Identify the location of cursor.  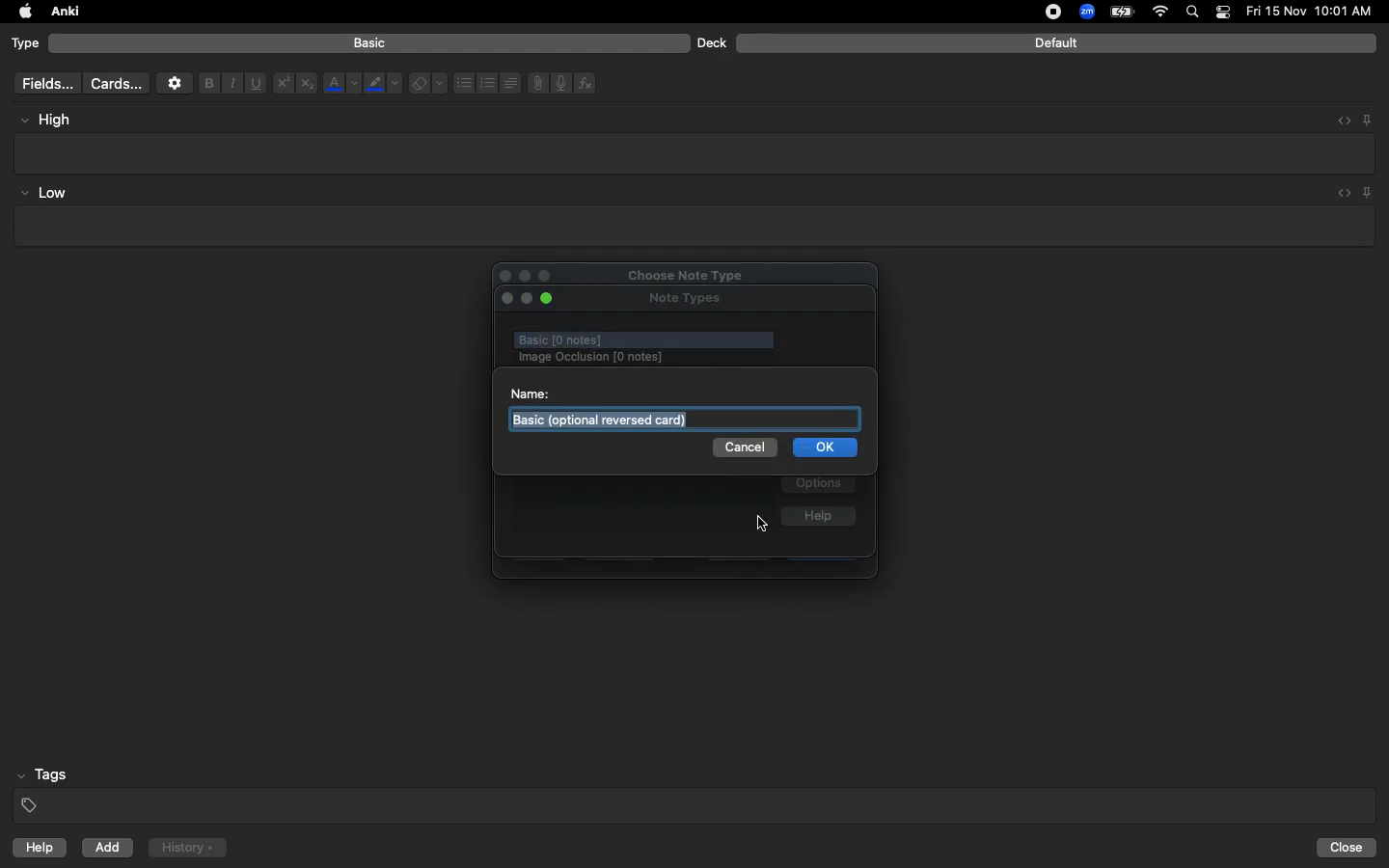
(755, 522).